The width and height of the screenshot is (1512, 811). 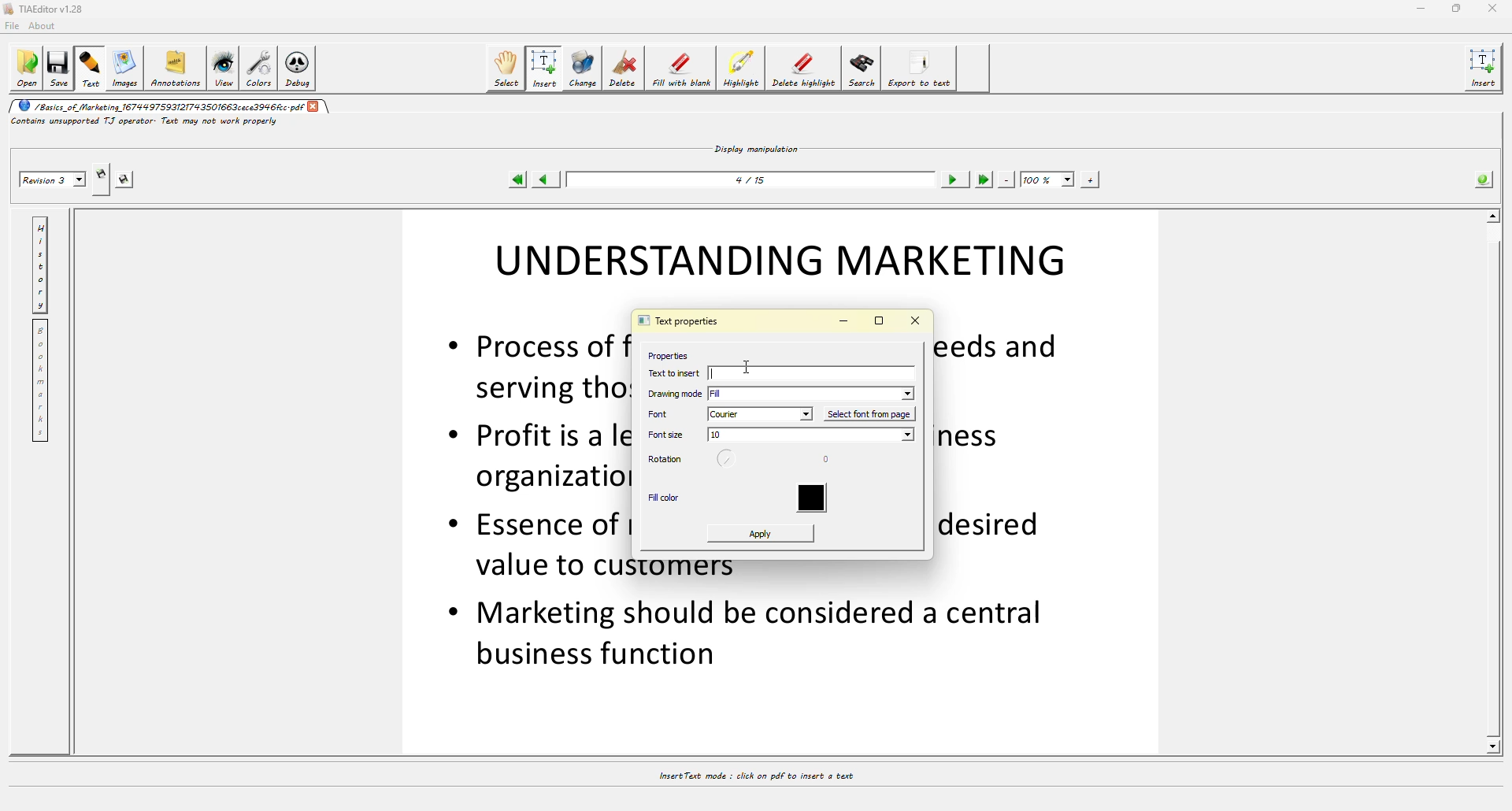 What do you see at coordinates (146, 124) in the screenshot?
I see `contains unsupported TJ operator text may not work properly` at bounding box center [146, 124].